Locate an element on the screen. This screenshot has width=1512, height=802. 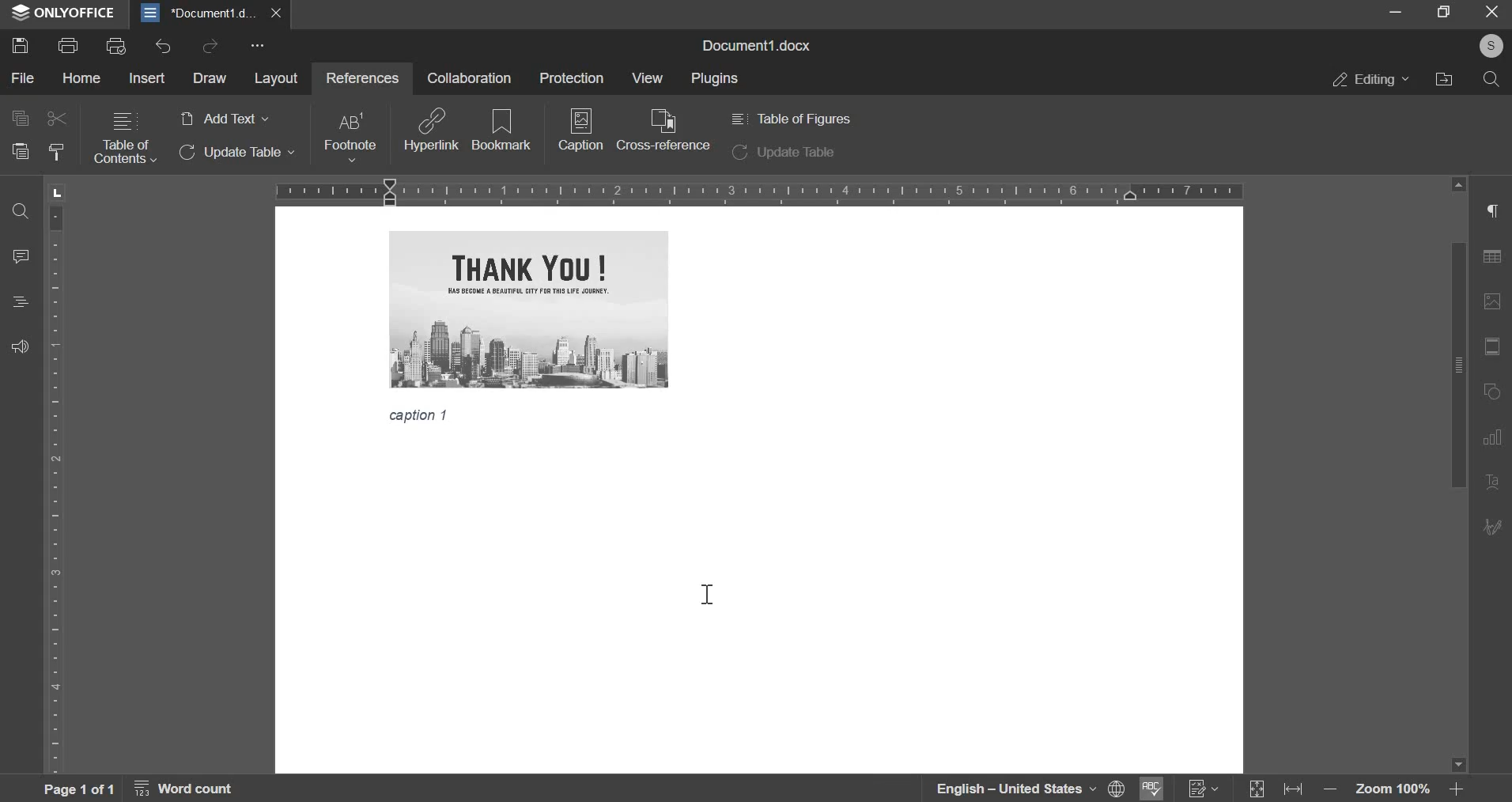
more options is located at coordinates (260, 47).